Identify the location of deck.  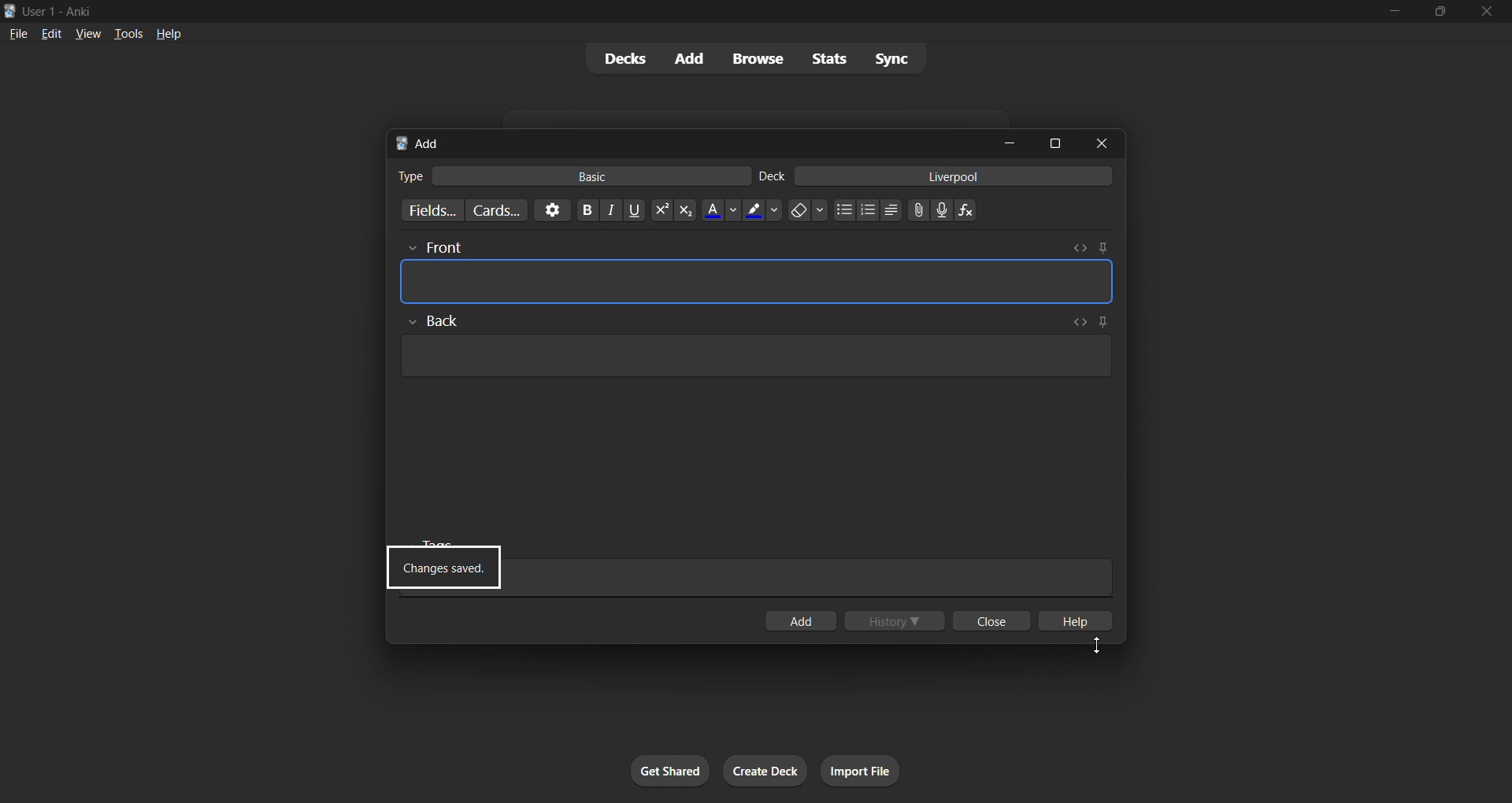
(770, 173).